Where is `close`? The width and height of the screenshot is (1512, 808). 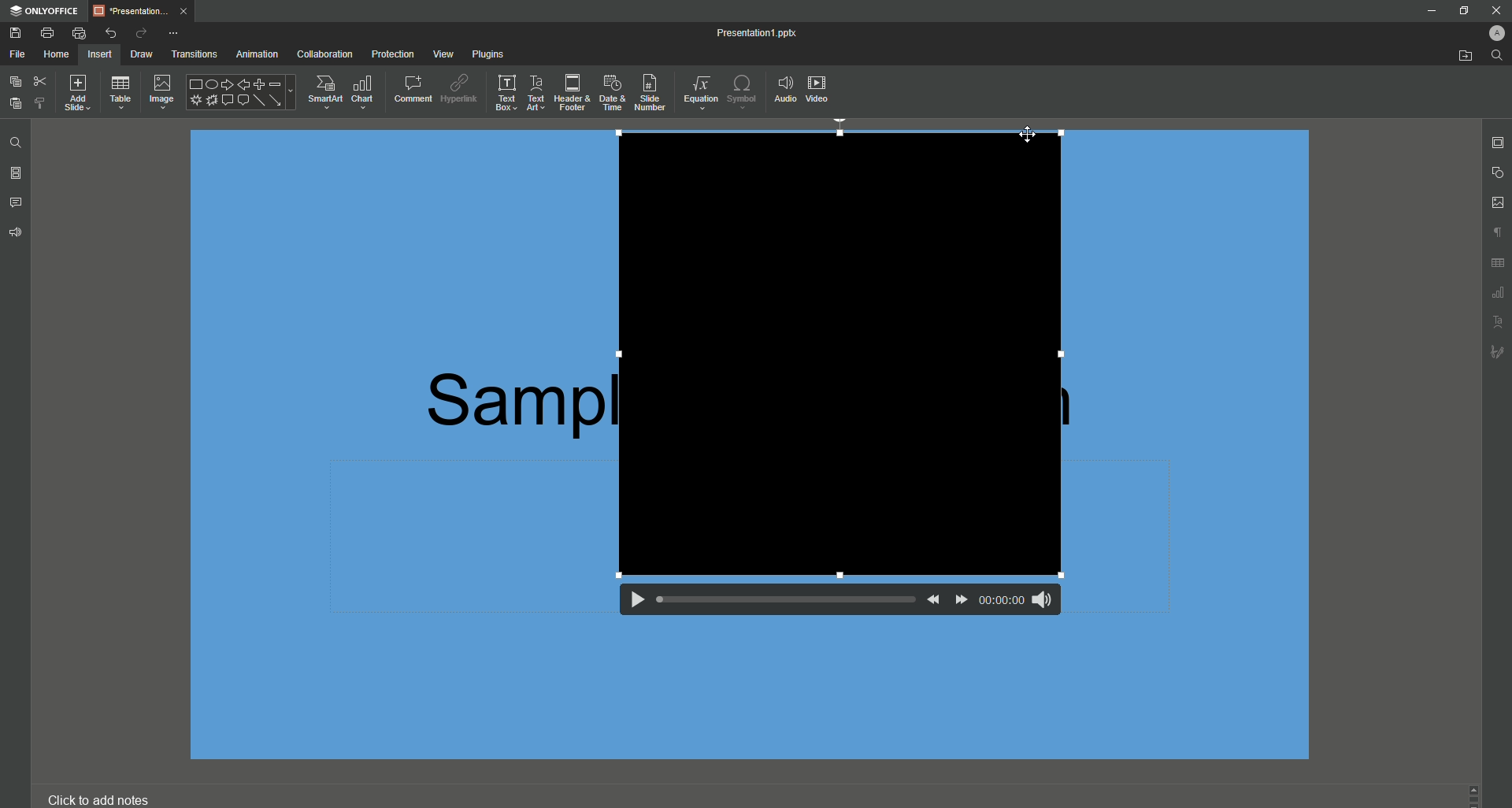
close is located at coordinates (1497, 10).